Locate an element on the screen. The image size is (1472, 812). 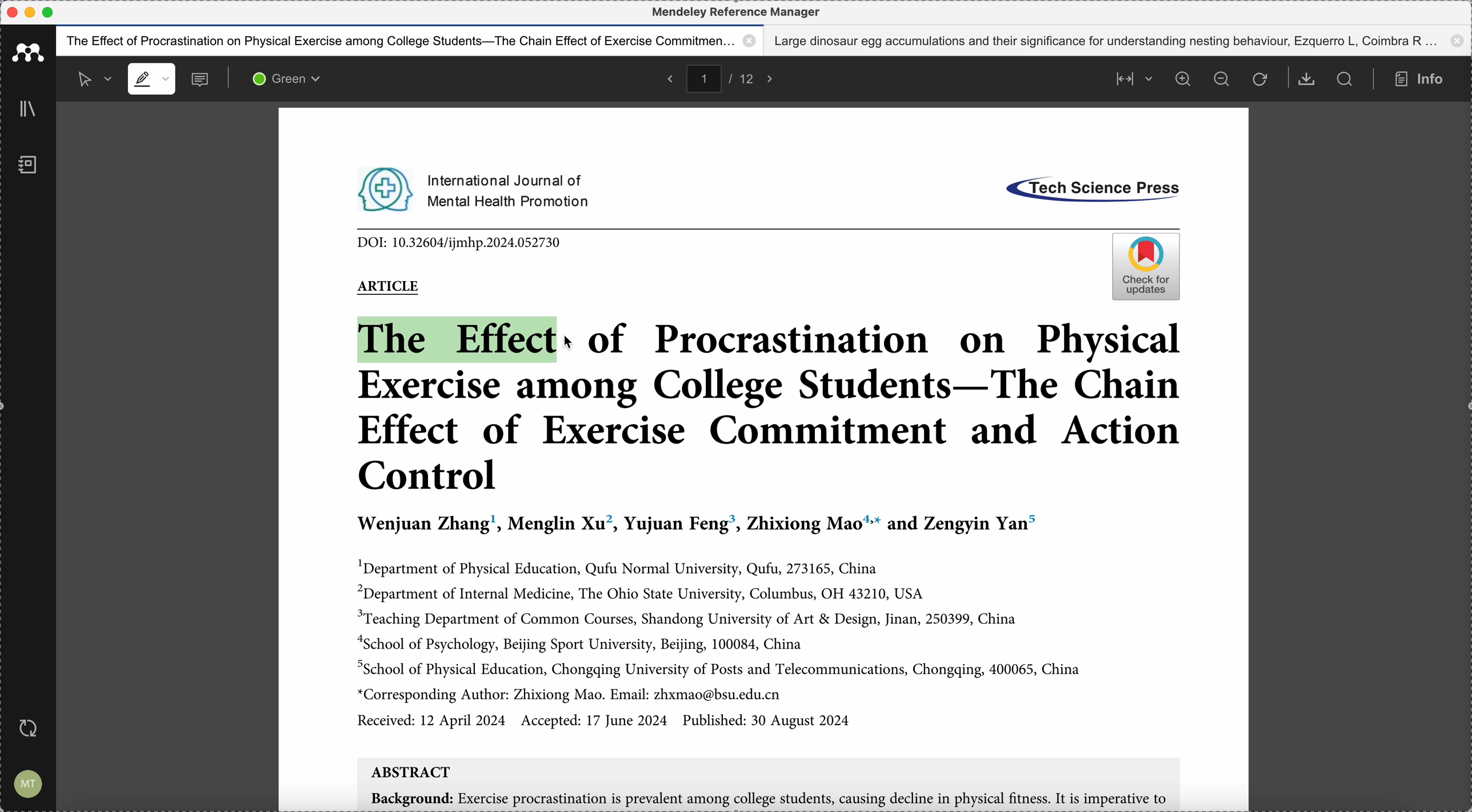
pdf opened is located at coordinates (429, 212).